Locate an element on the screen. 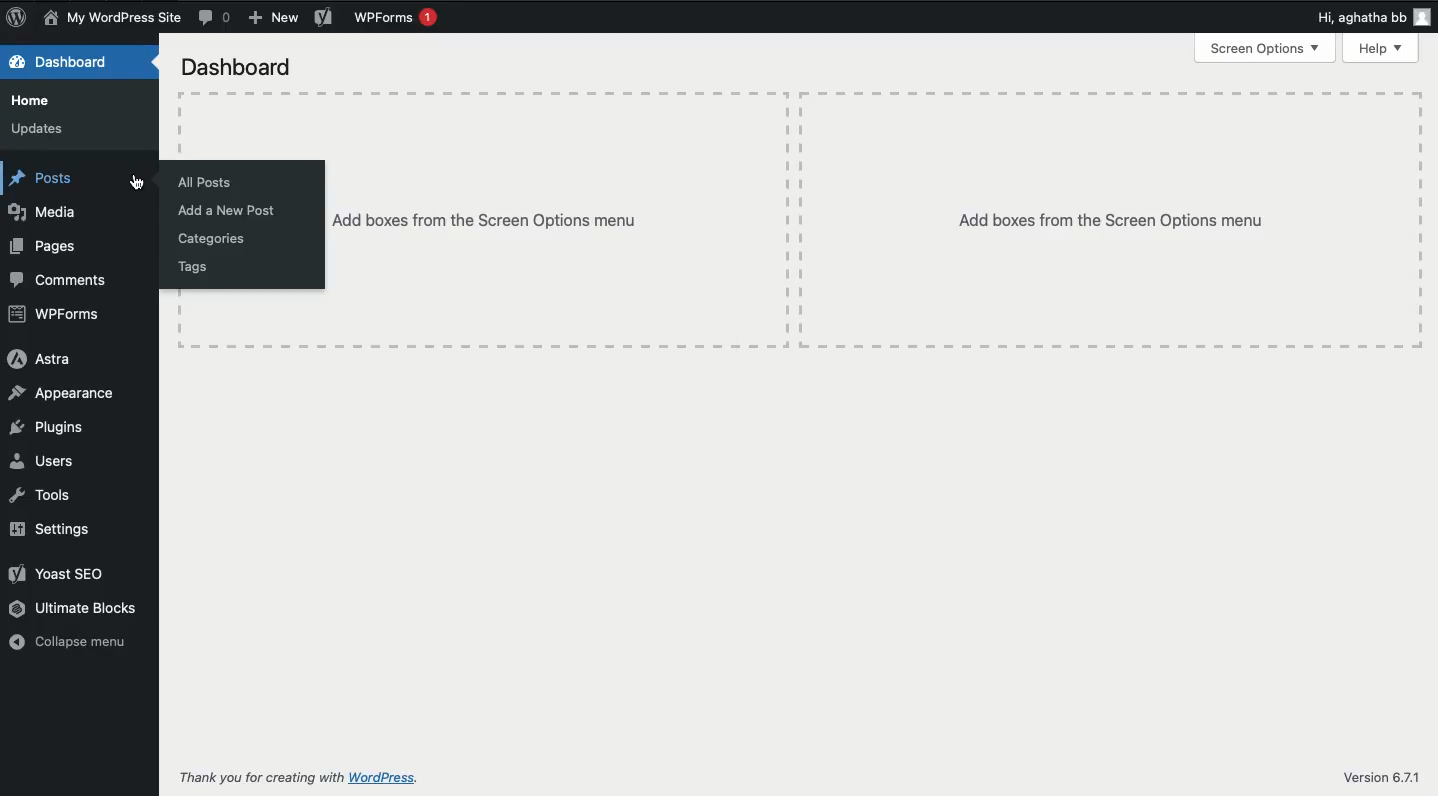 This screenshot has height=796, width=1438. Pages is located at coordinates (45, 248).